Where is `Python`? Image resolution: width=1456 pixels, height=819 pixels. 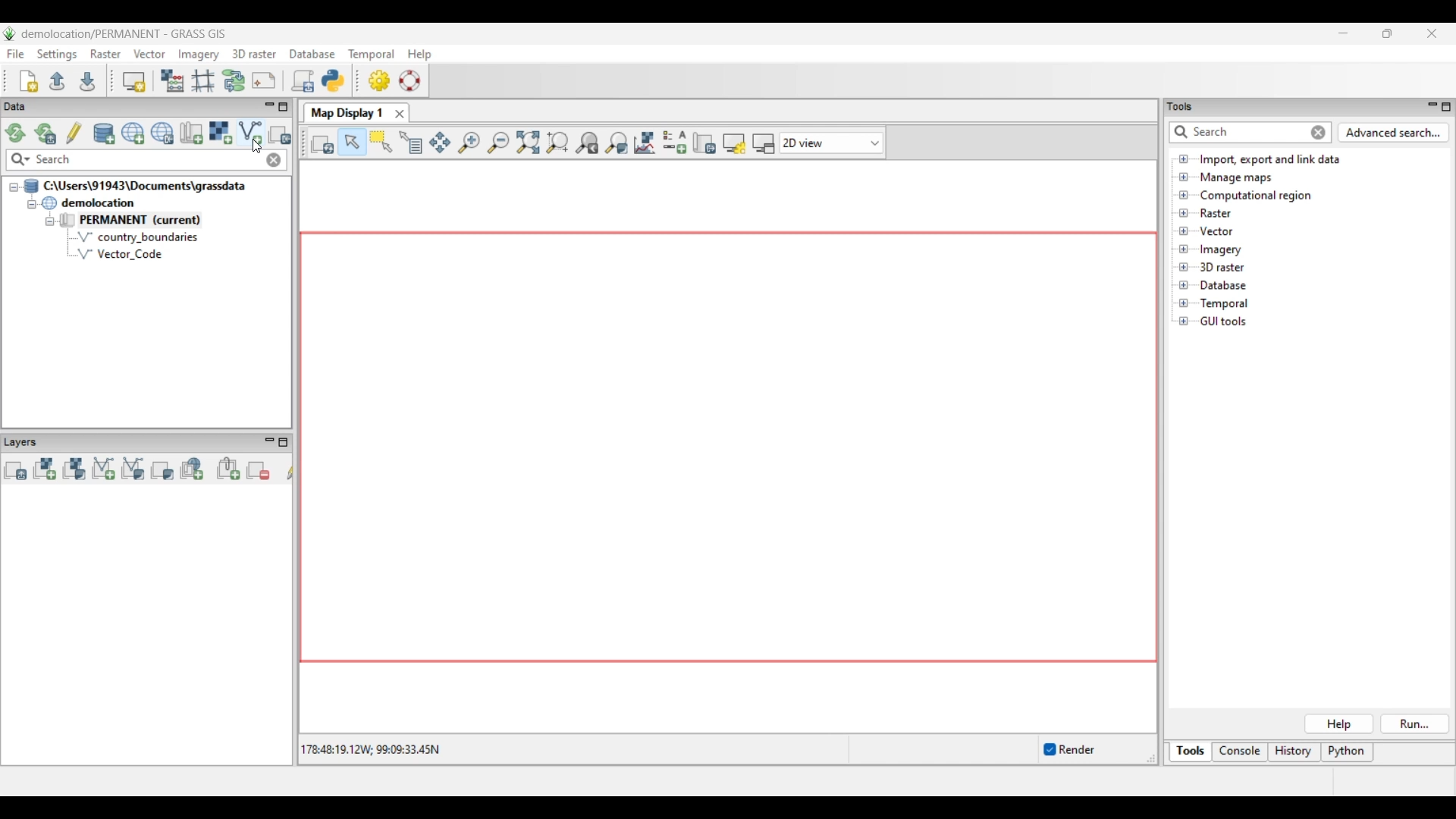
Python is located at coordinates (1348, 753).